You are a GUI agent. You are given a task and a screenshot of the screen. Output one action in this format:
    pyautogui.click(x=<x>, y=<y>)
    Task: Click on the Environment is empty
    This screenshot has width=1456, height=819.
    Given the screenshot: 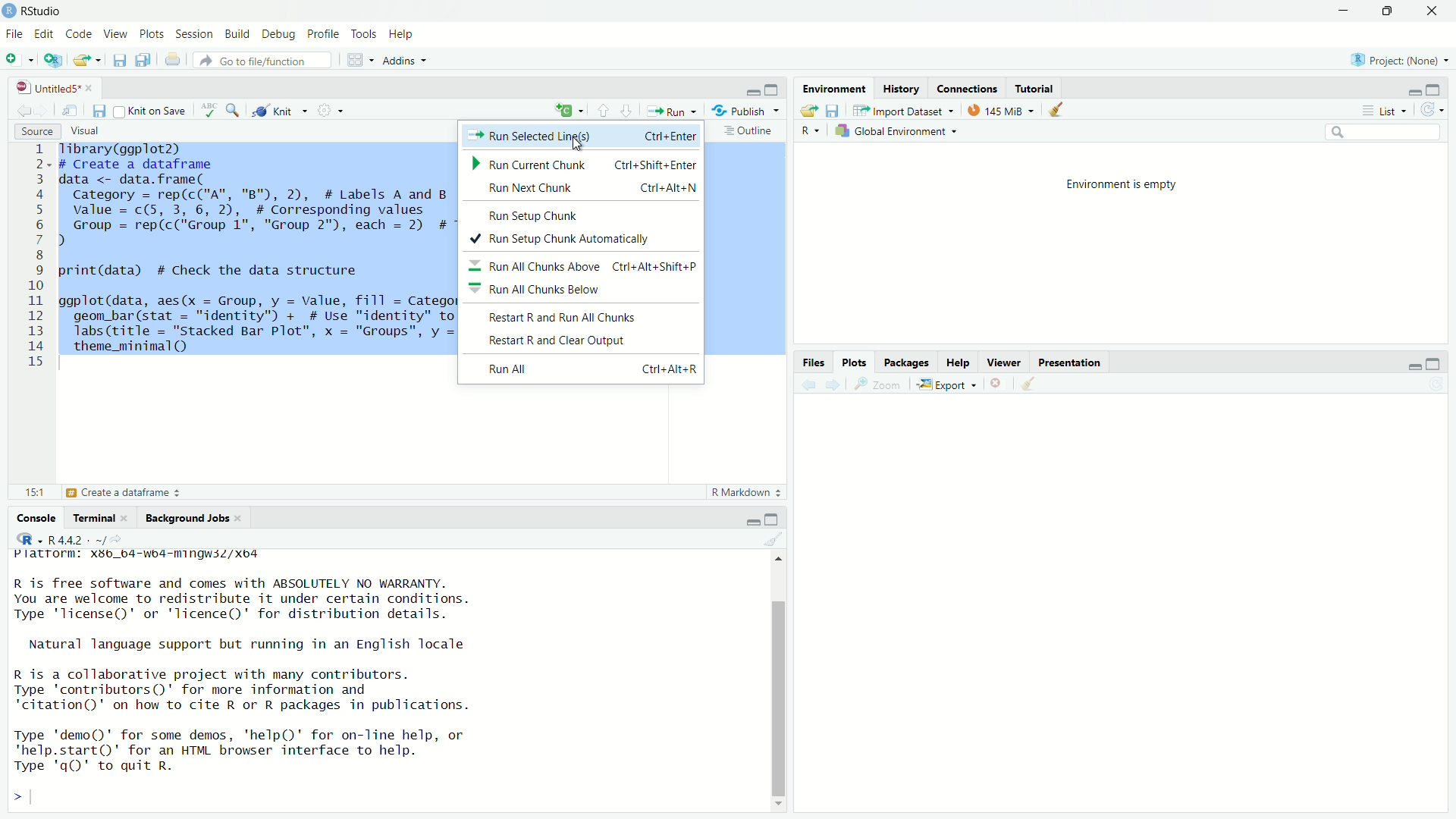 What is the action you would take?
    pyautogui.click(x=1125, y=184)
    